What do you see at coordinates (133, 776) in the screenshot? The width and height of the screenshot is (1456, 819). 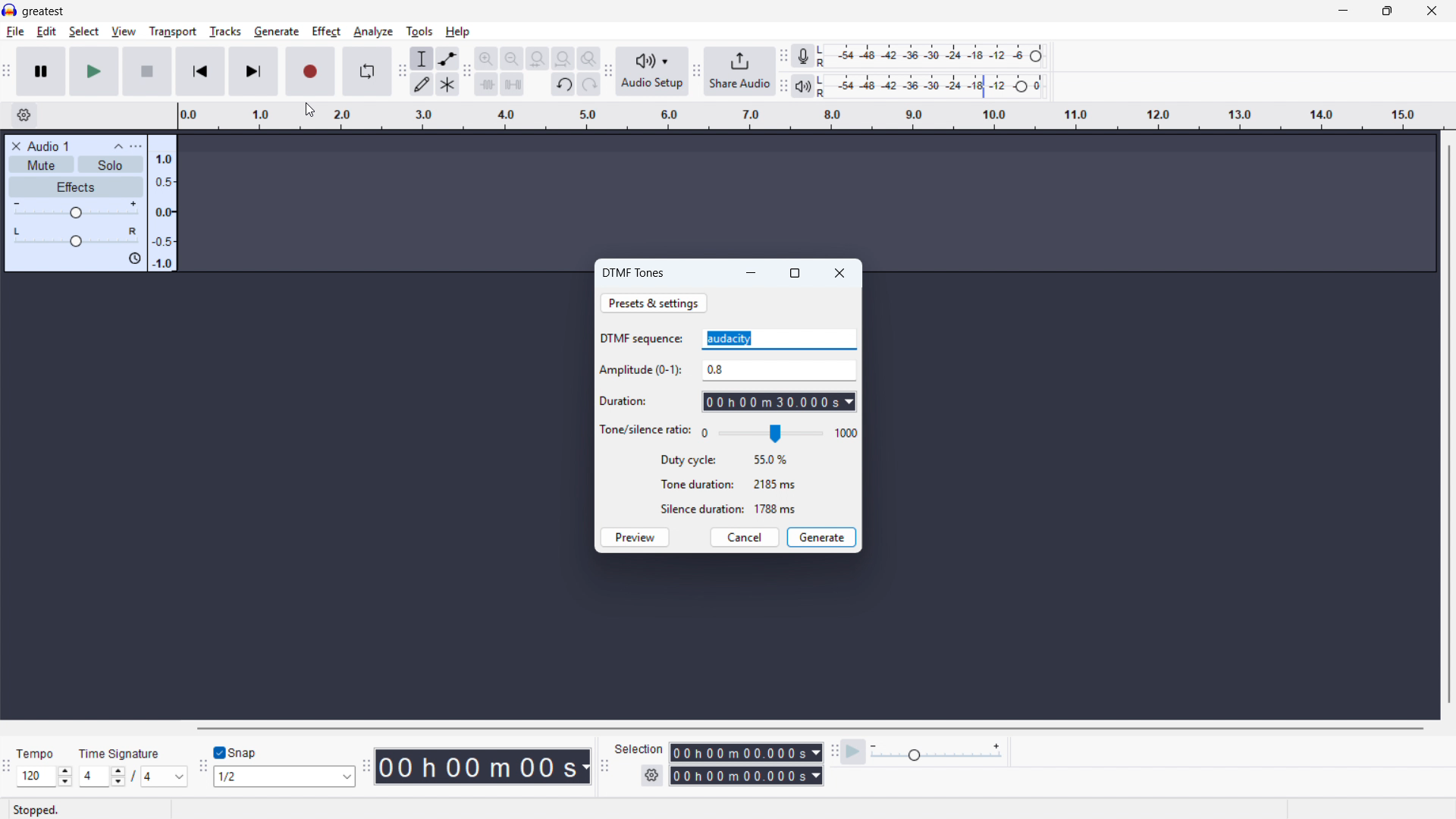 I see `Set time signature ` at bounding box center [133, 776].